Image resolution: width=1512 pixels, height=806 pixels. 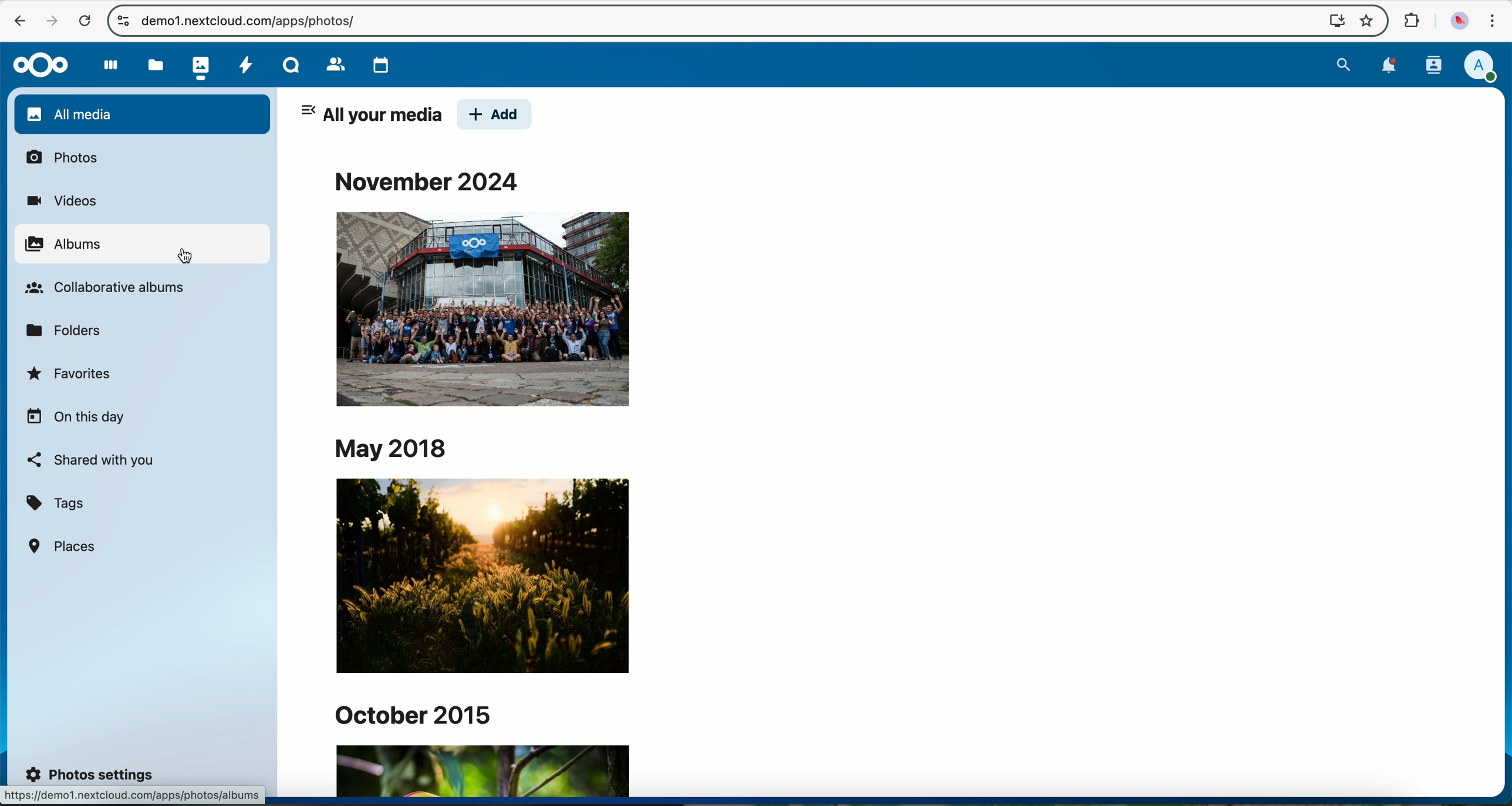 What do you see at coordinates (484, 309) in the screenshot?
I see `image` at bounding box center [484, 309].